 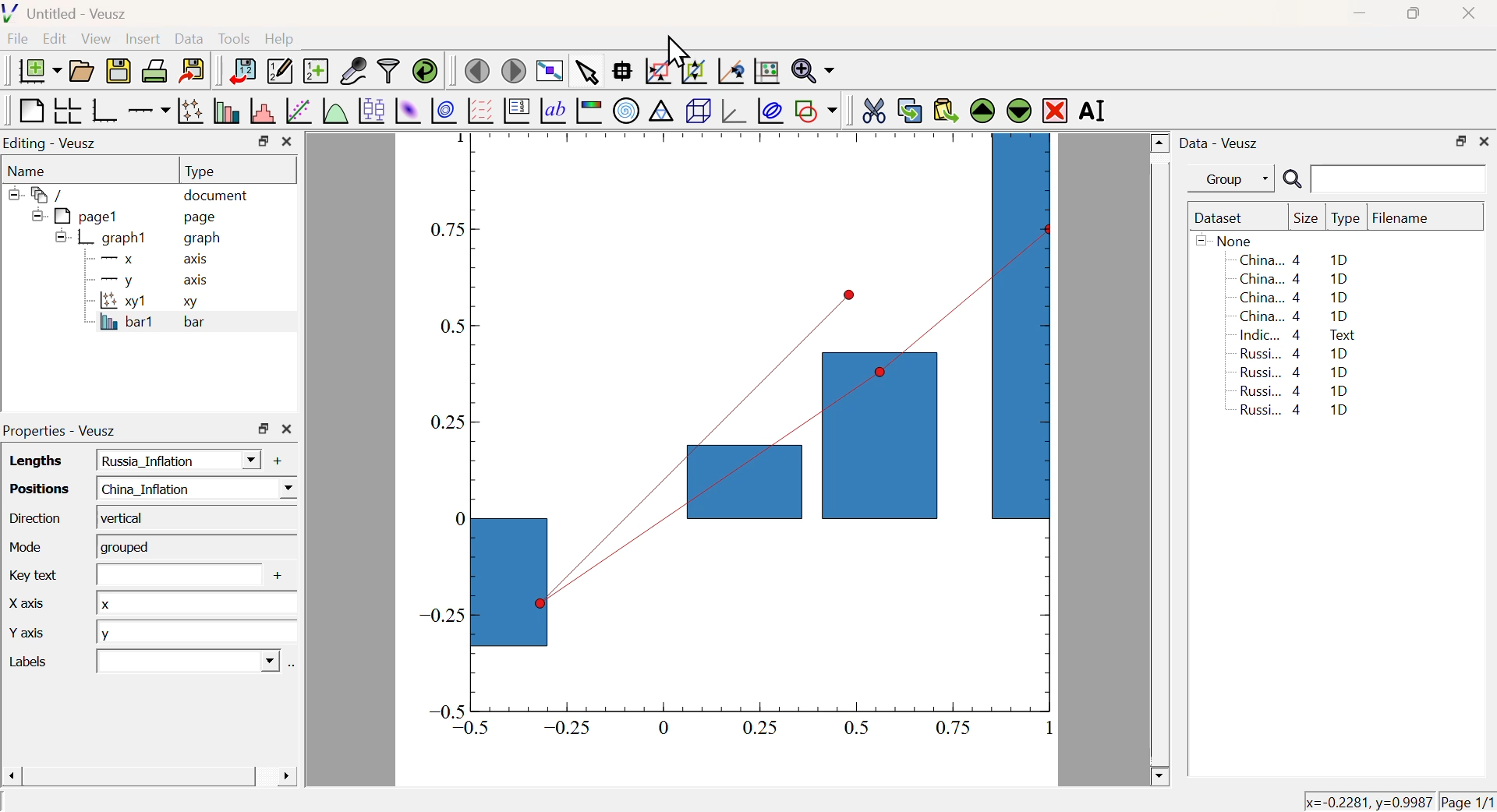 What do you see at coordinates (287, 142) in the screenshot?
I see `Close` at bounding box center [287, 142].